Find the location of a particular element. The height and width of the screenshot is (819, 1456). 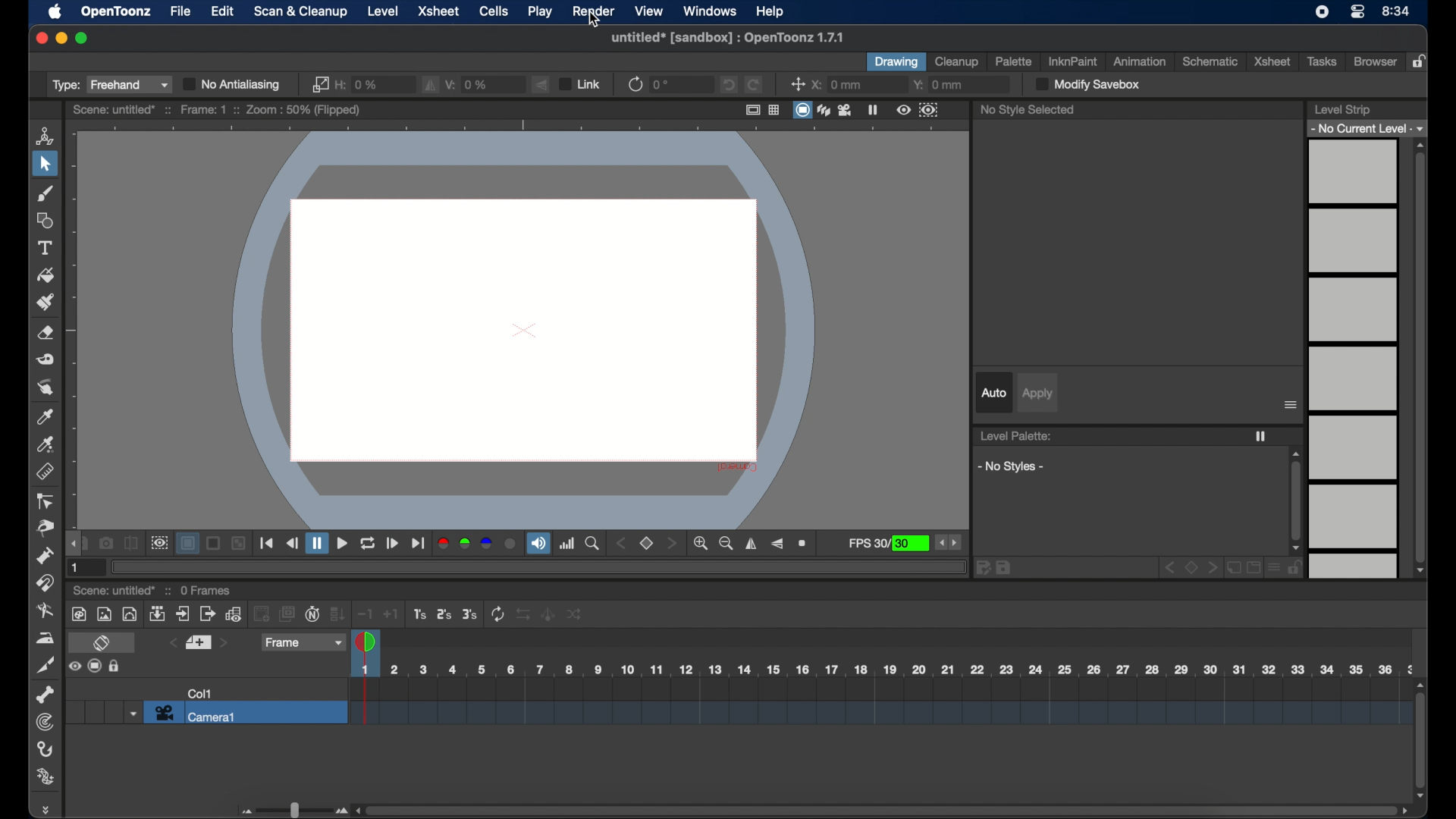

 is located at coordinates (337, 615).